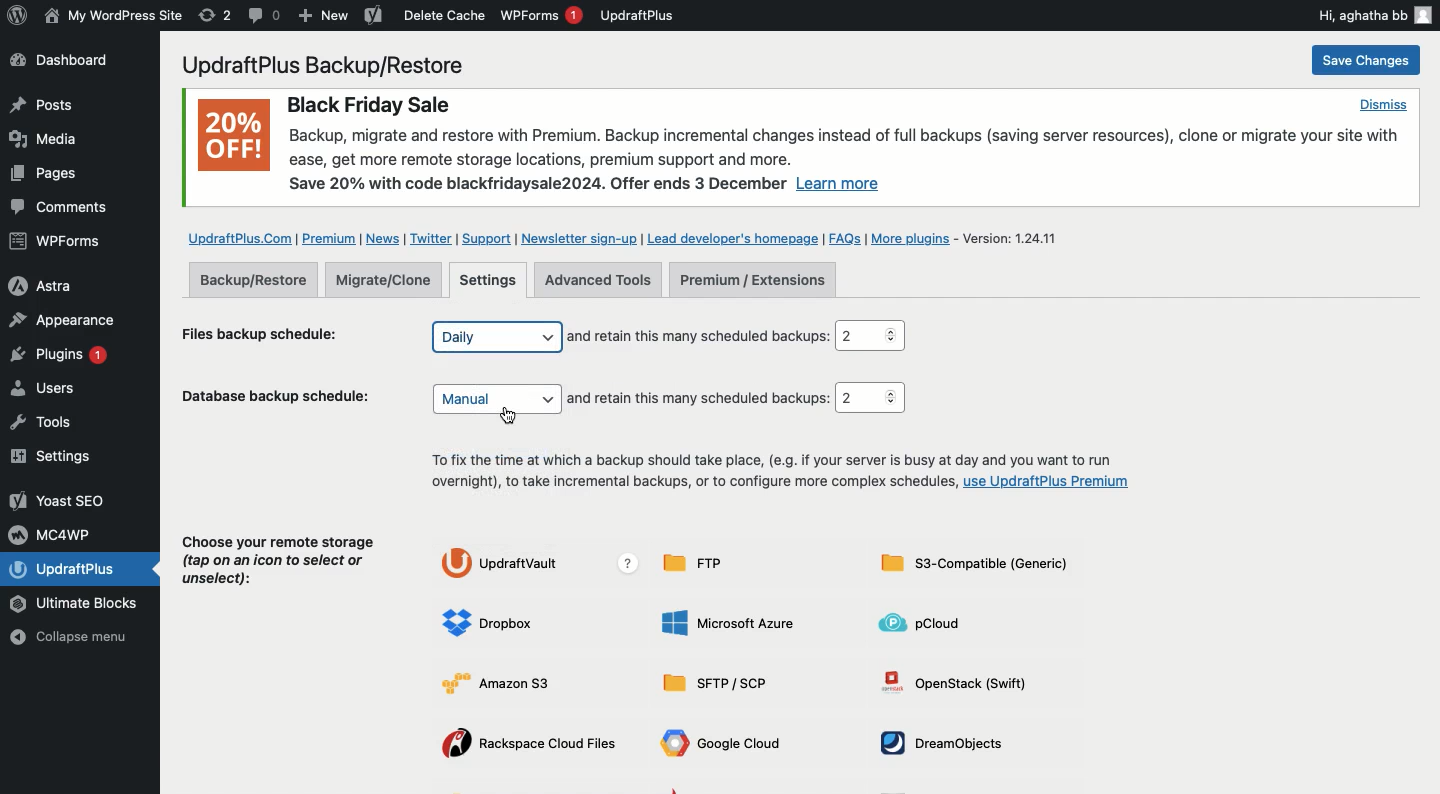 Image resolution: width=1440 pixels, height=794 pixels. What do you see at coordinates (776, 473) in the screenshot?
I see `To fix the time at which a backup should take place, (e.g. if your server is busy at day and you want to run
overnight), to take incremental backups, or to configure more complex schedules, use UpdraftPlus Premium` at bounding box center [776, 473].